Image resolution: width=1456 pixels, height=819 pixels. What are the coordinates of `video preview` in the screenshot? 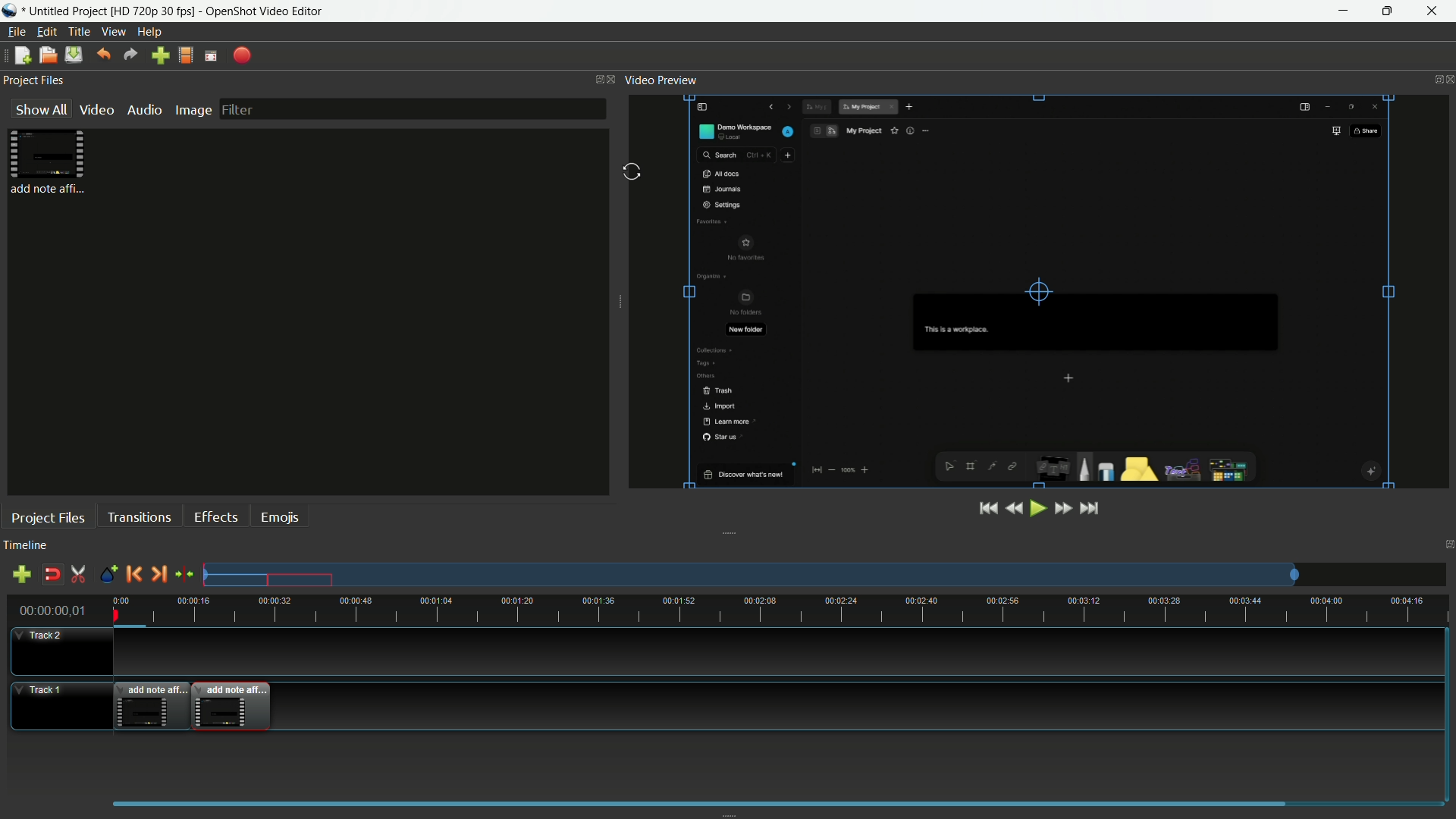 It's located at (664, 80).